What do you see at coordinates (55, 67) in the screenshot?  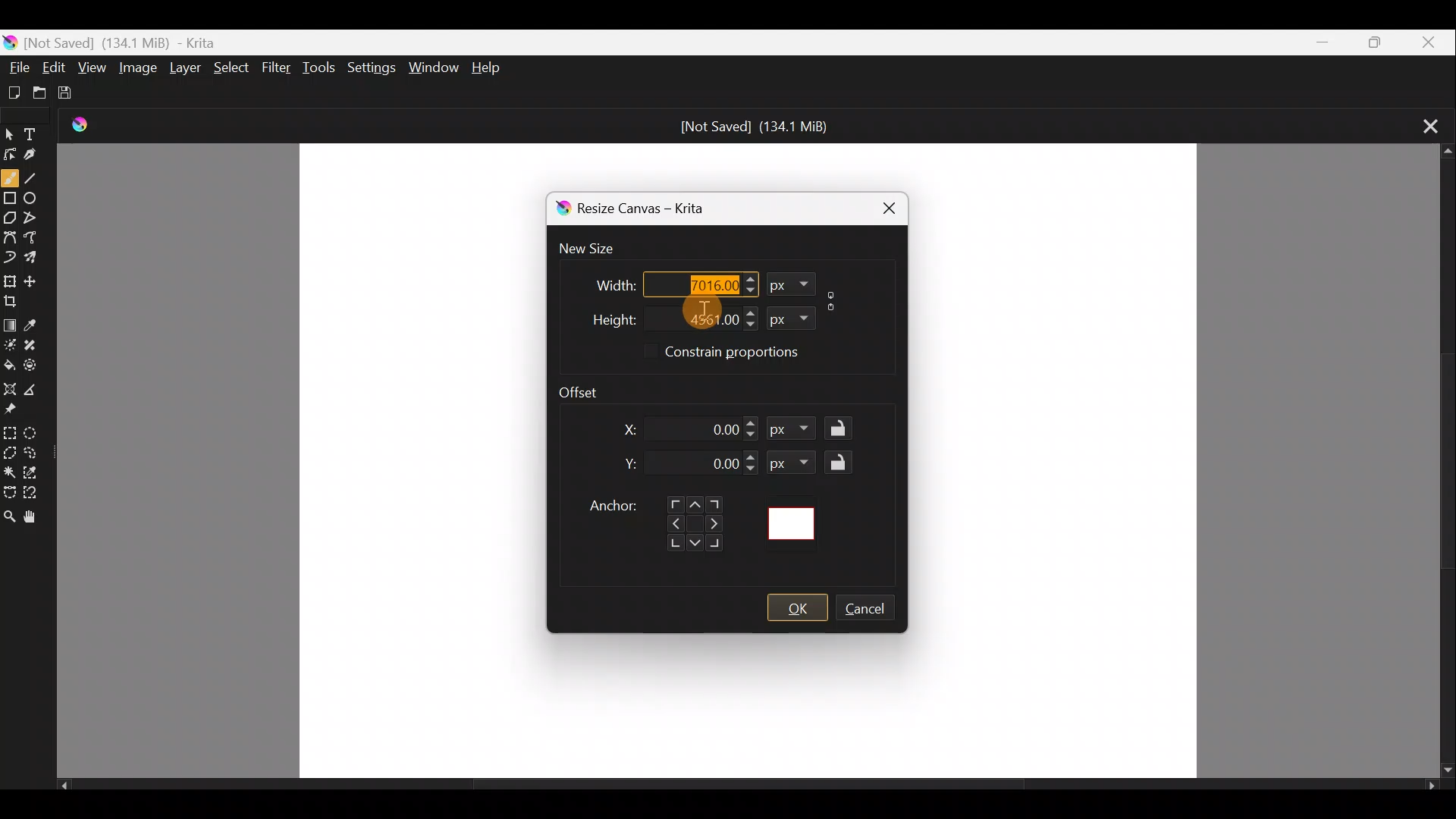 I see `Edit` at bounding box center [55, 67].